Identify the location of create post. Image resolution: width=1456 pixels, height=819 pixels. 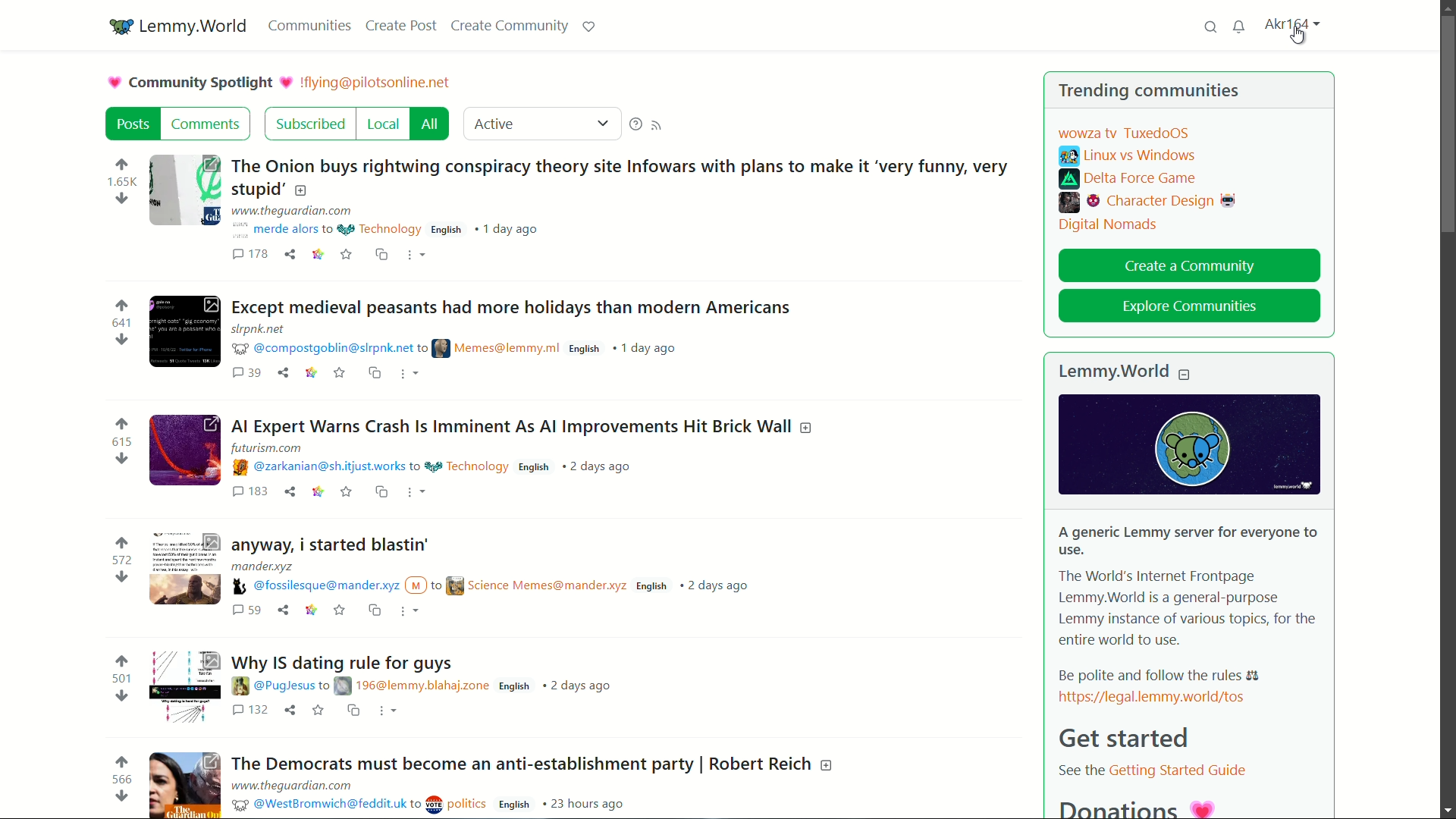
(400, 25).